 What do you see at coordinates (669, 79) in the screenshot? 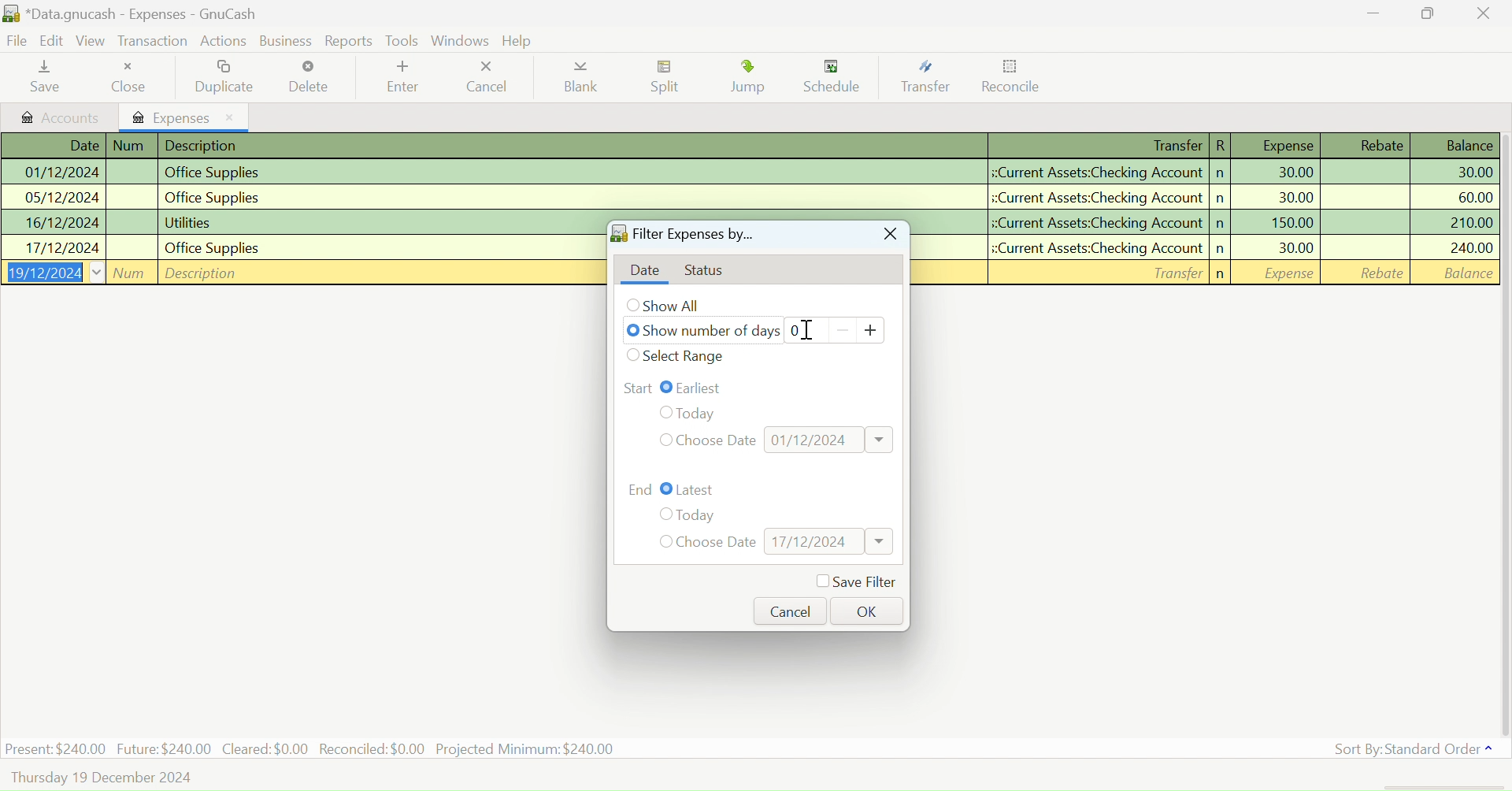
I see `Split` at bounding box center [669, 79].